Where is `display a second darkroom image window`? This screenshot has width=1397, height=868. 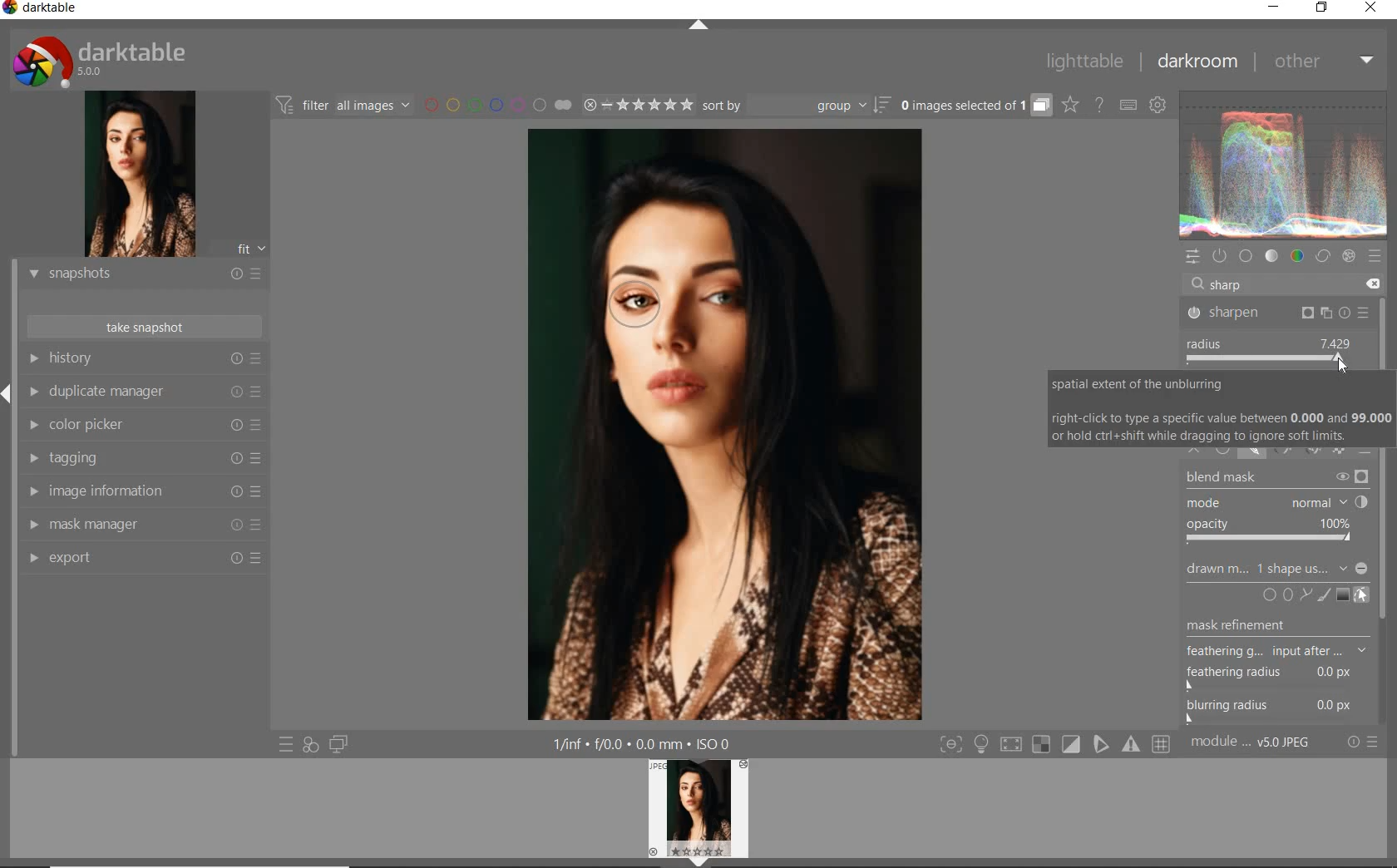 display a second darkroom image window is located at coordinates (339, 743).